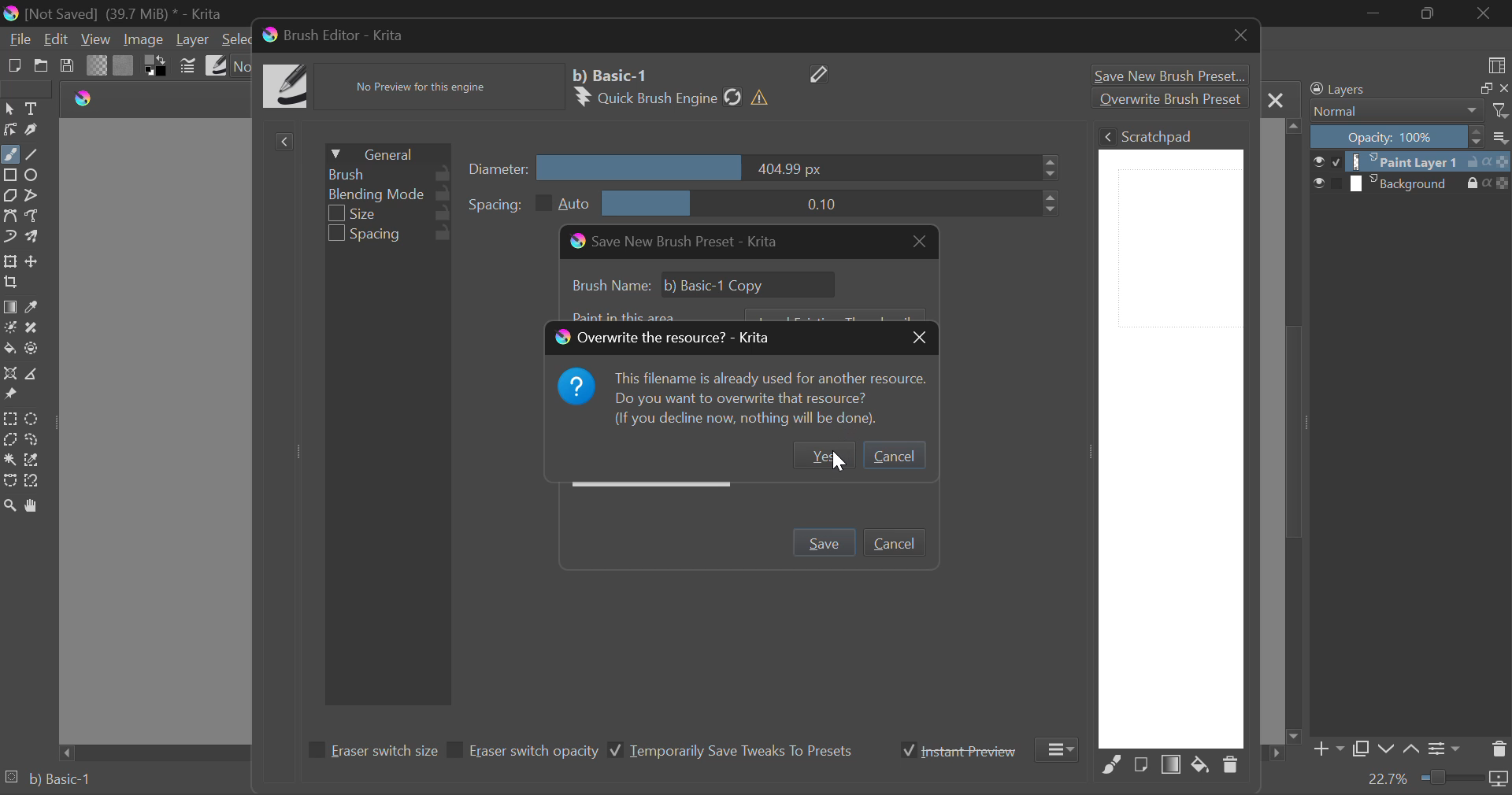  Describe the element at coordinates (11, 196) in the screenshot. I see `Polygon` at that location.